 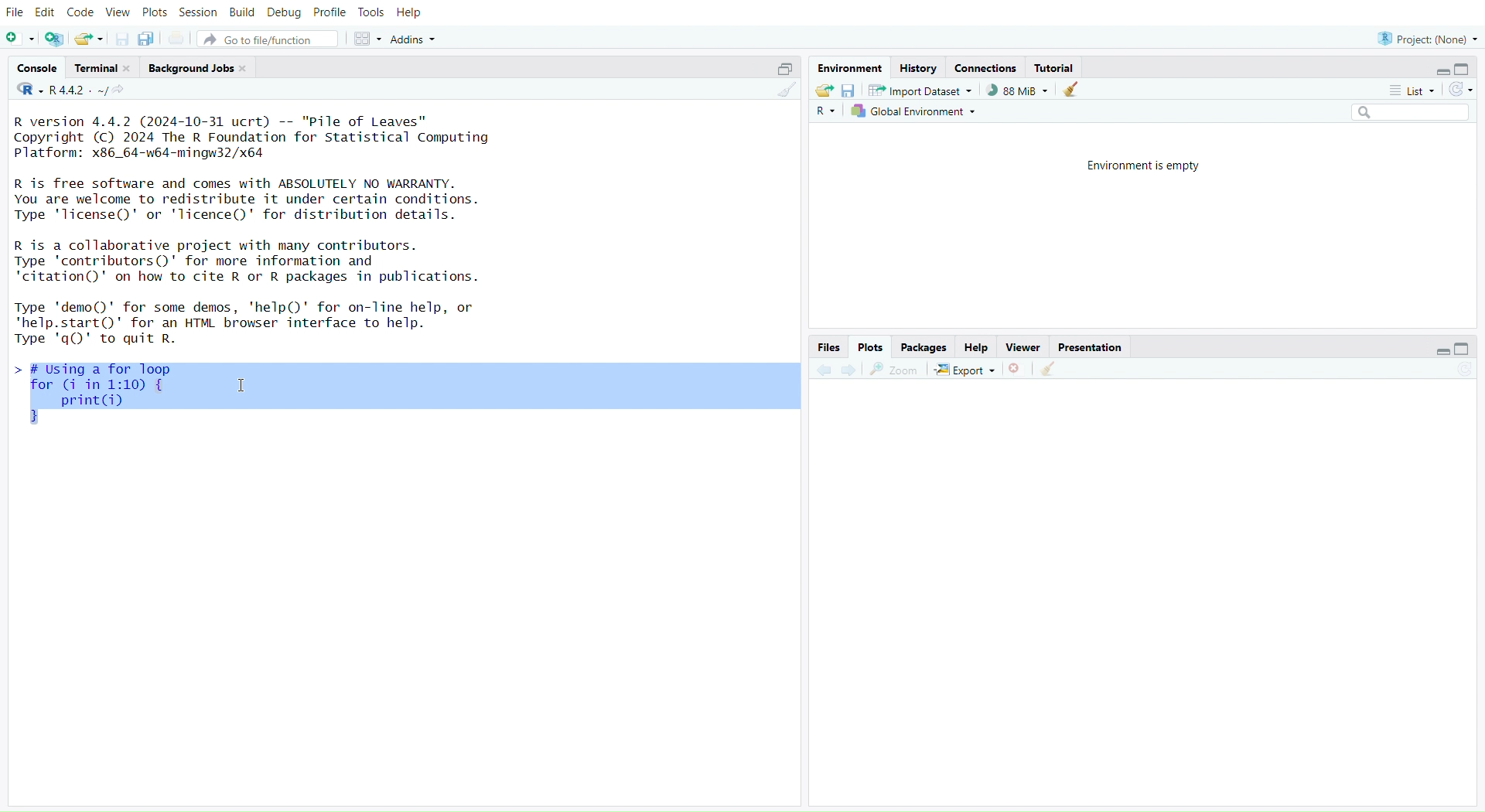 What do you see at coordinates (977, 346) in the screenshot?
I see `help` at bounding box center [977, 346].